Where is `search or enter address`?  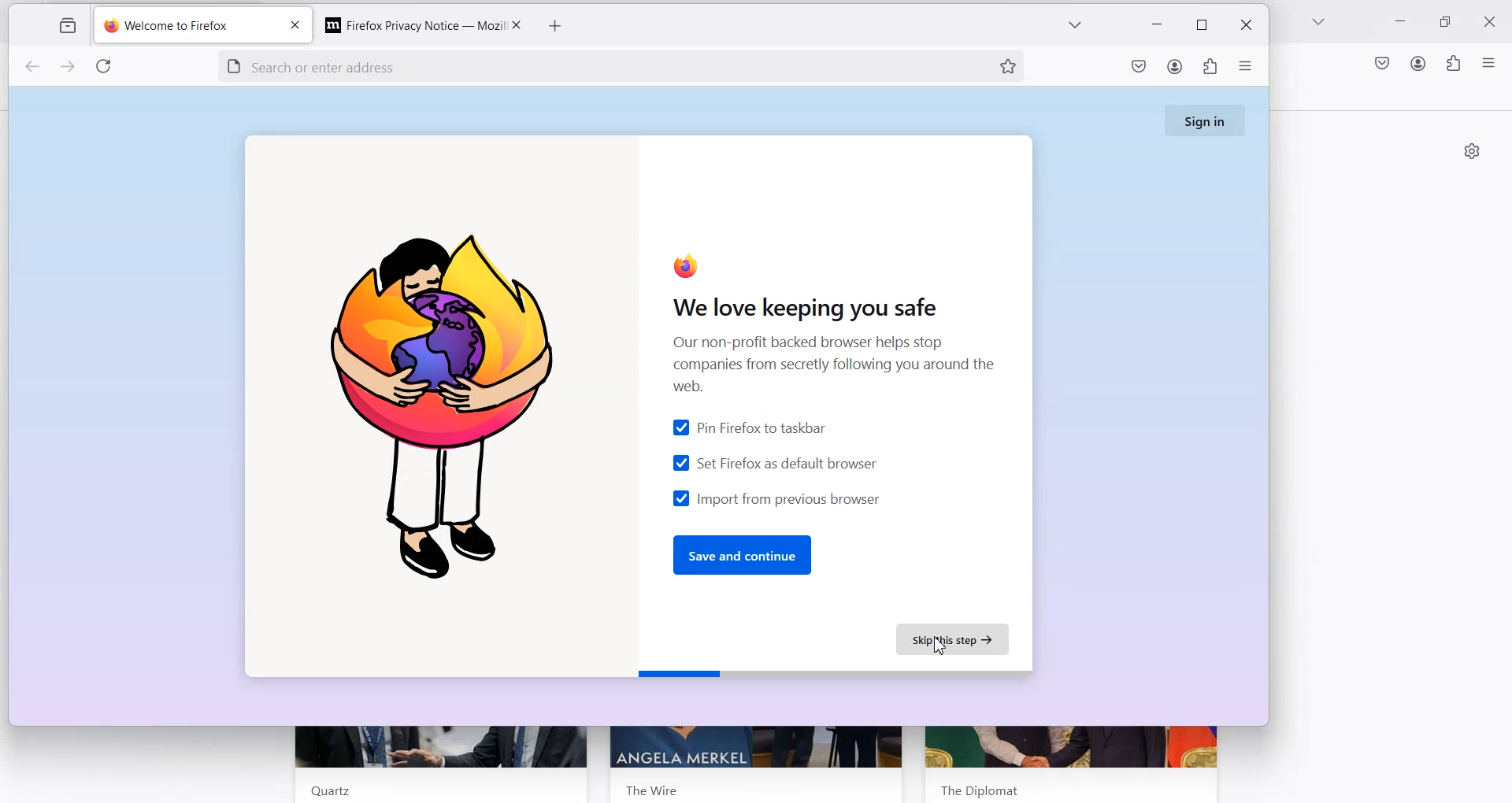
search or enter address is located at coordinates (580, 65).